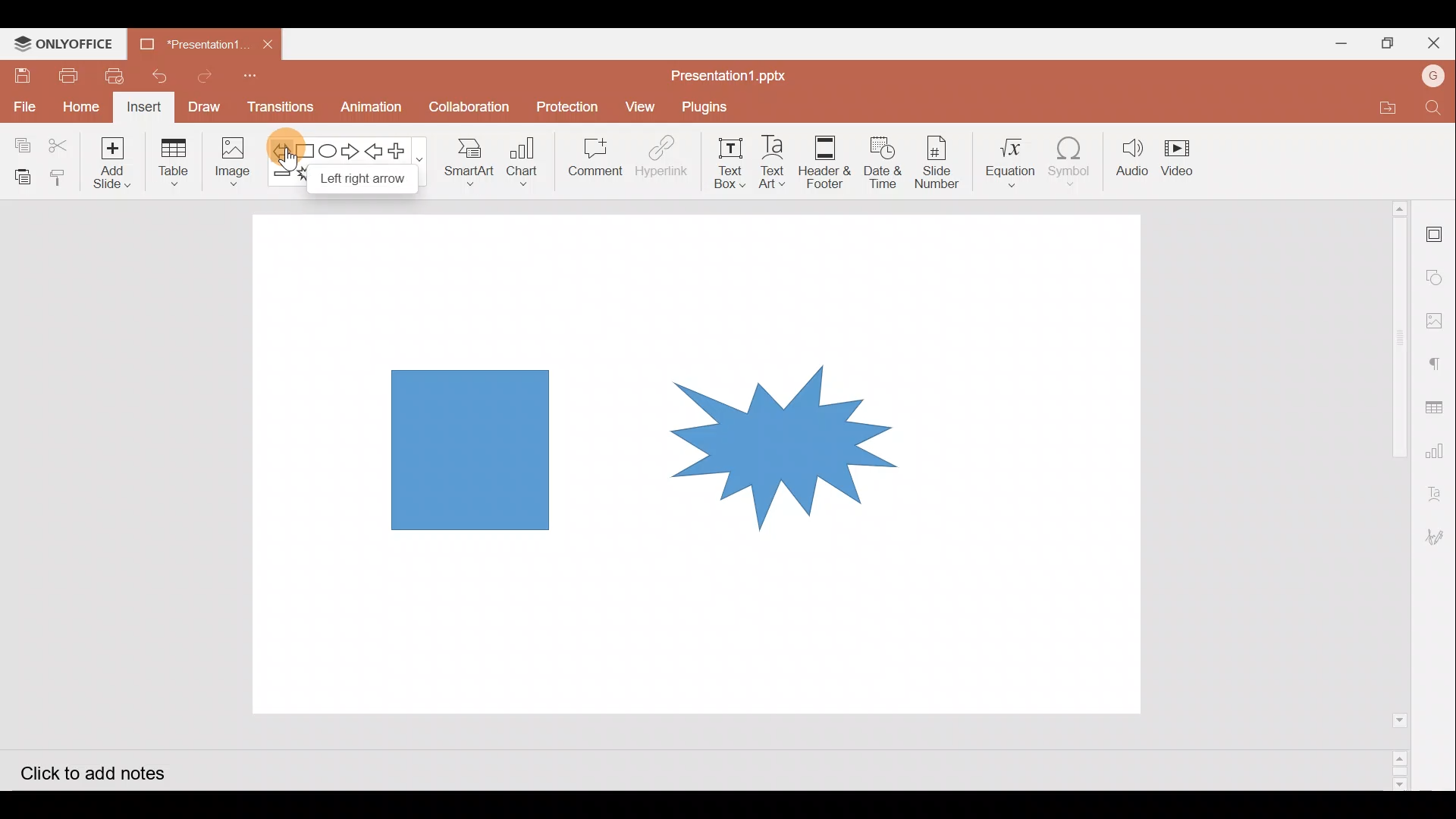 The width and height of the screenshot is (1456, 819). Describe the element at coordinates (469, 165) in the screenshot. I see `SmartArt` at that location.